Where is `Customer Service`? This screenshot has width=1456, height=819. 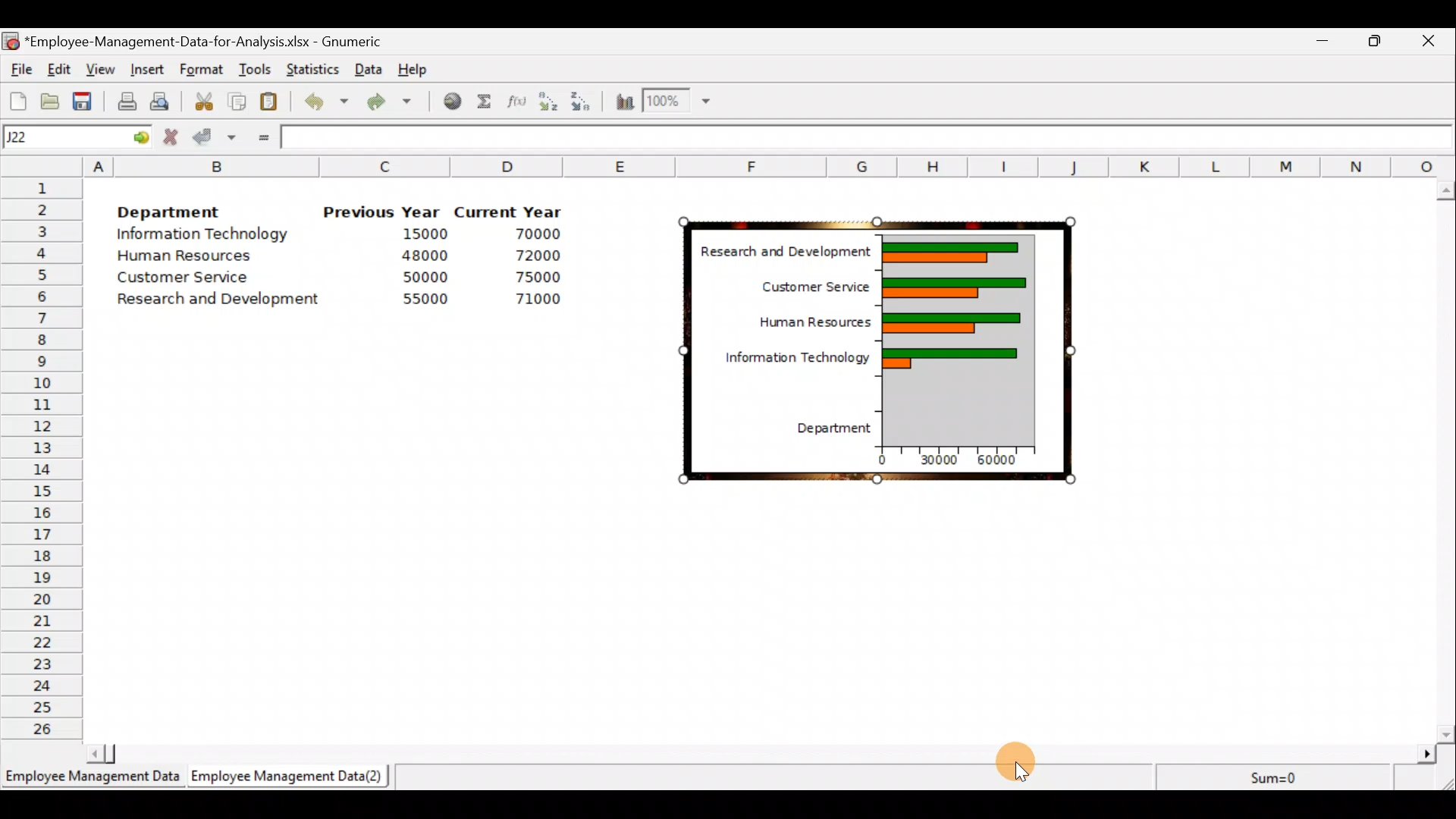
Customer Service is located at coordinates (176, 278).